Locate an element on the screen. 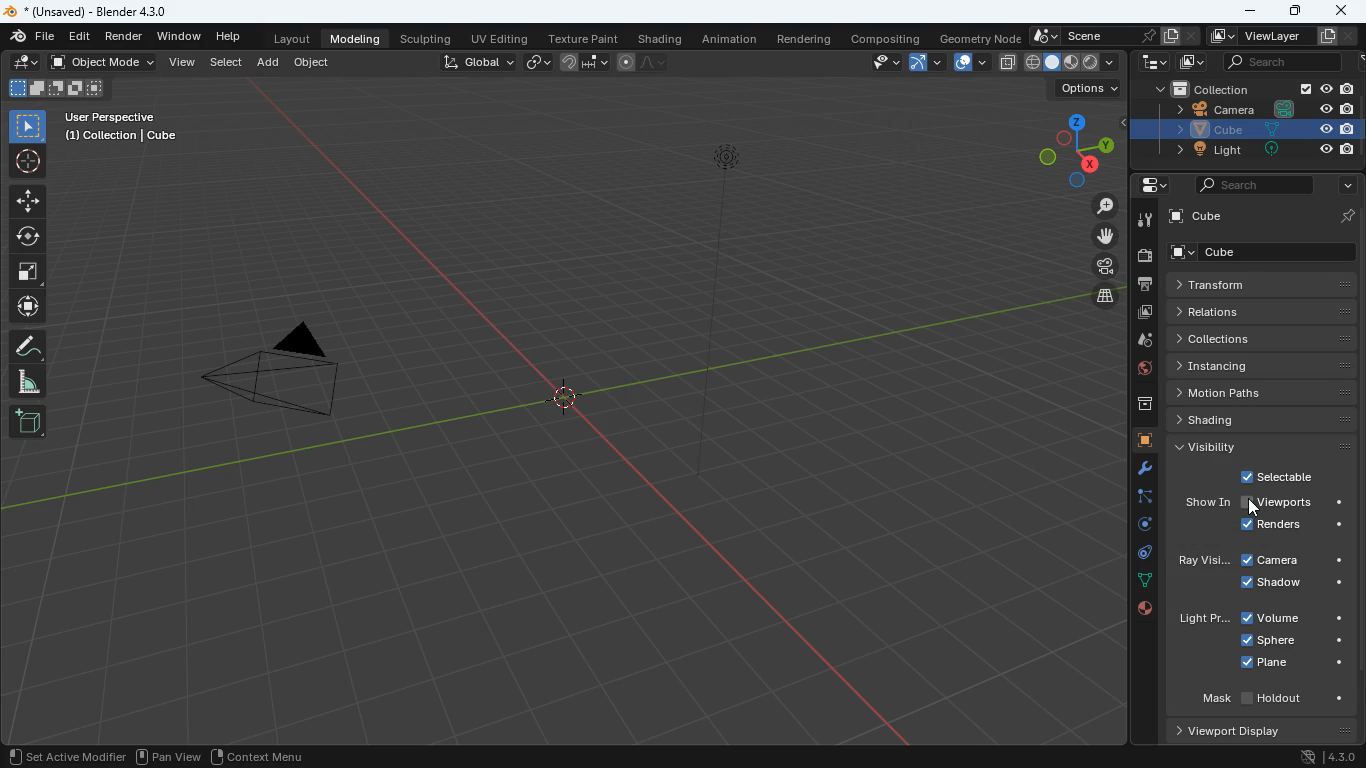 The width and height of the screenshot is (1366, 768). edit is located at coordinates (32, 36).